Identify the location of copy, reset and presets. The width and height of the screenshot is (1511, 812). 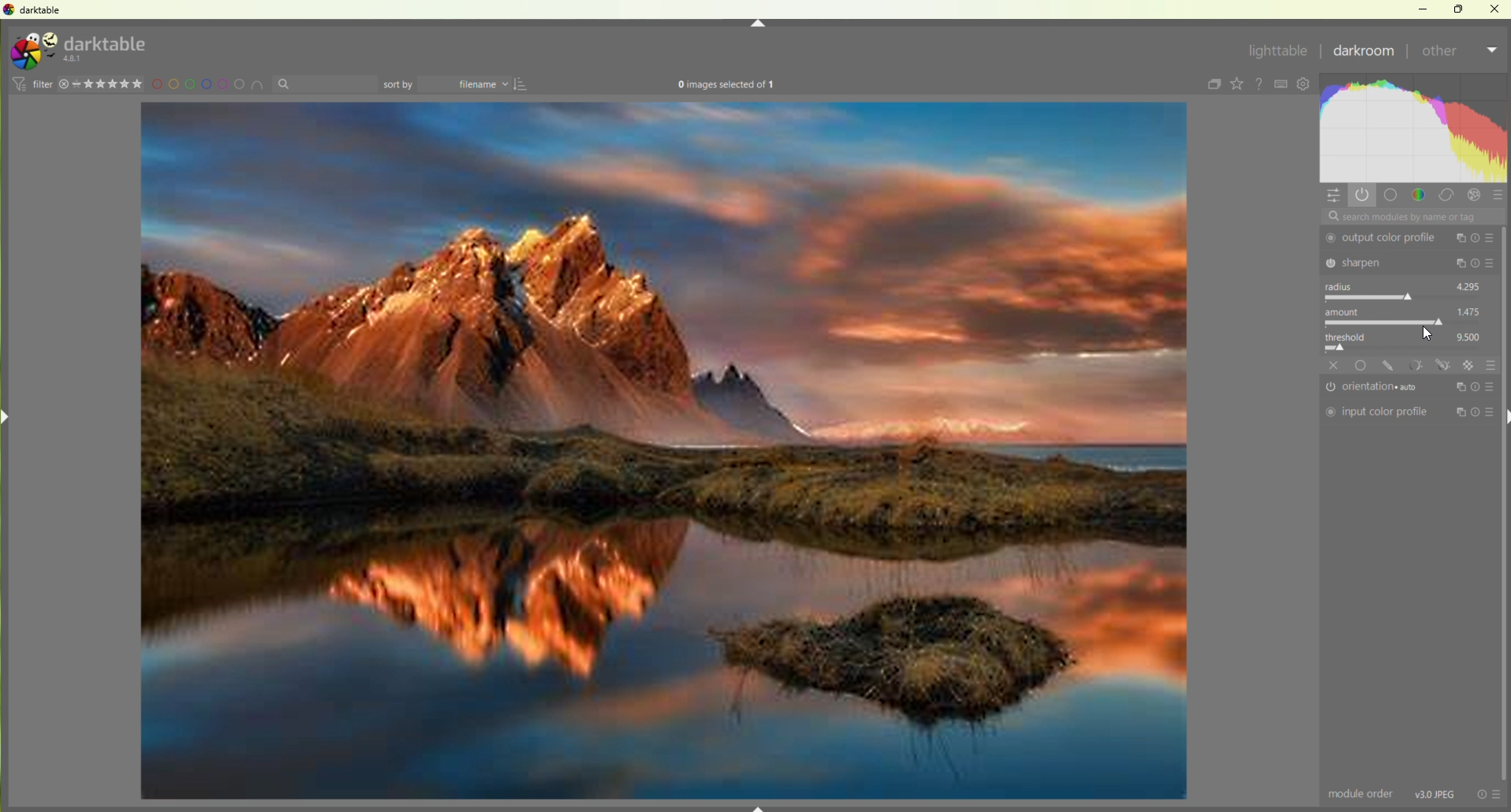
(1476, 413).